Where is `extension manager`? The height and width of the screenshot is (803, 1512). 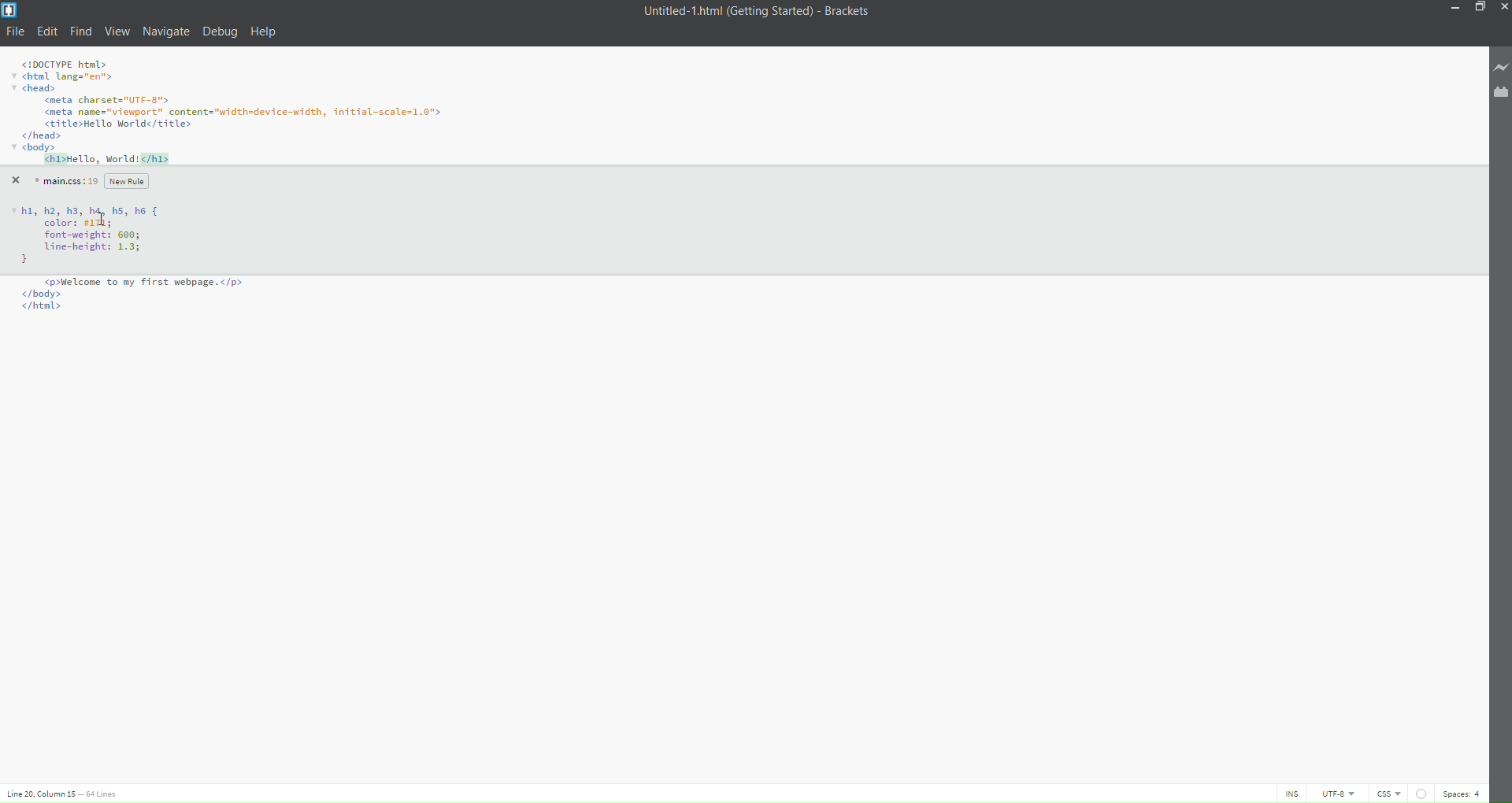
extension manager is located at coordinates (1497, 92).